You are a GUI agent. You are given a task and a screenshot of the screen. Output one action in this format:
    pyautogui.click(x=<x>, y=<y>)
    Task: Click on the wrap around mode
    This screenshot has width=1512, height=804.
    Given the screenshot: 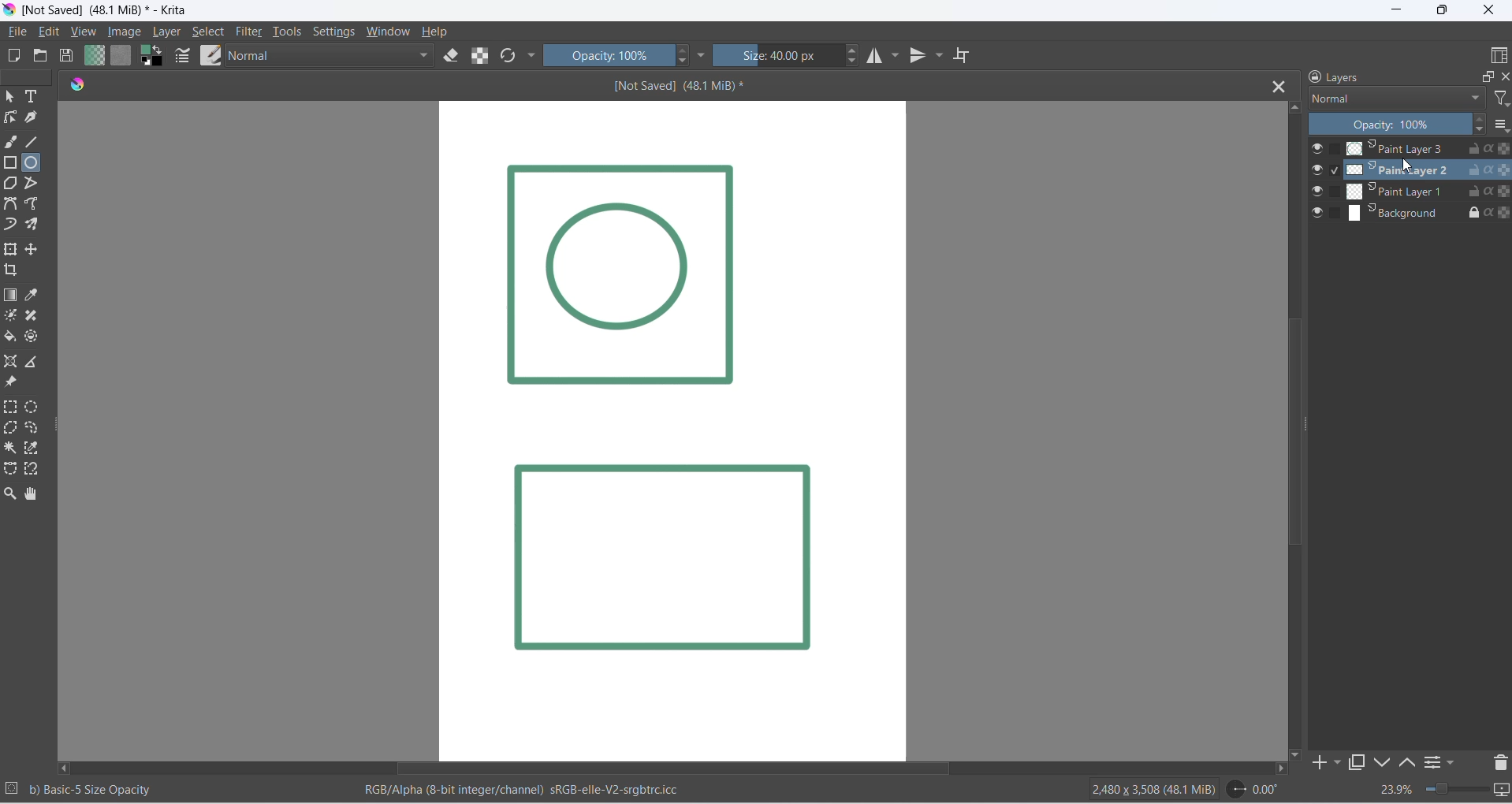 What is the action you would take?
    pyautogui.click(x=967, y=57)
    